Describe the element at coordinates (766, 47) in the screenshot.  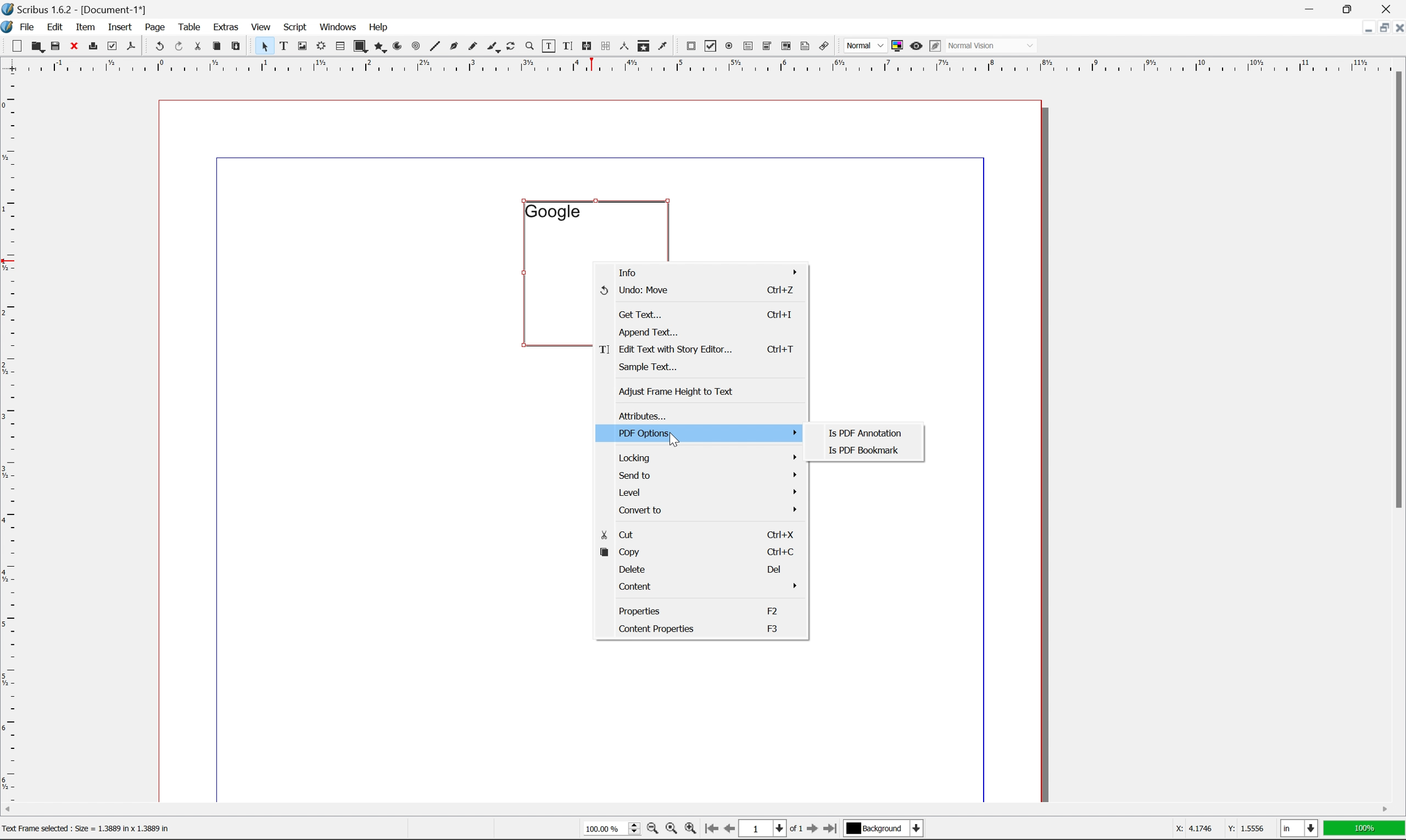
I see `pdf combo box` at that location.